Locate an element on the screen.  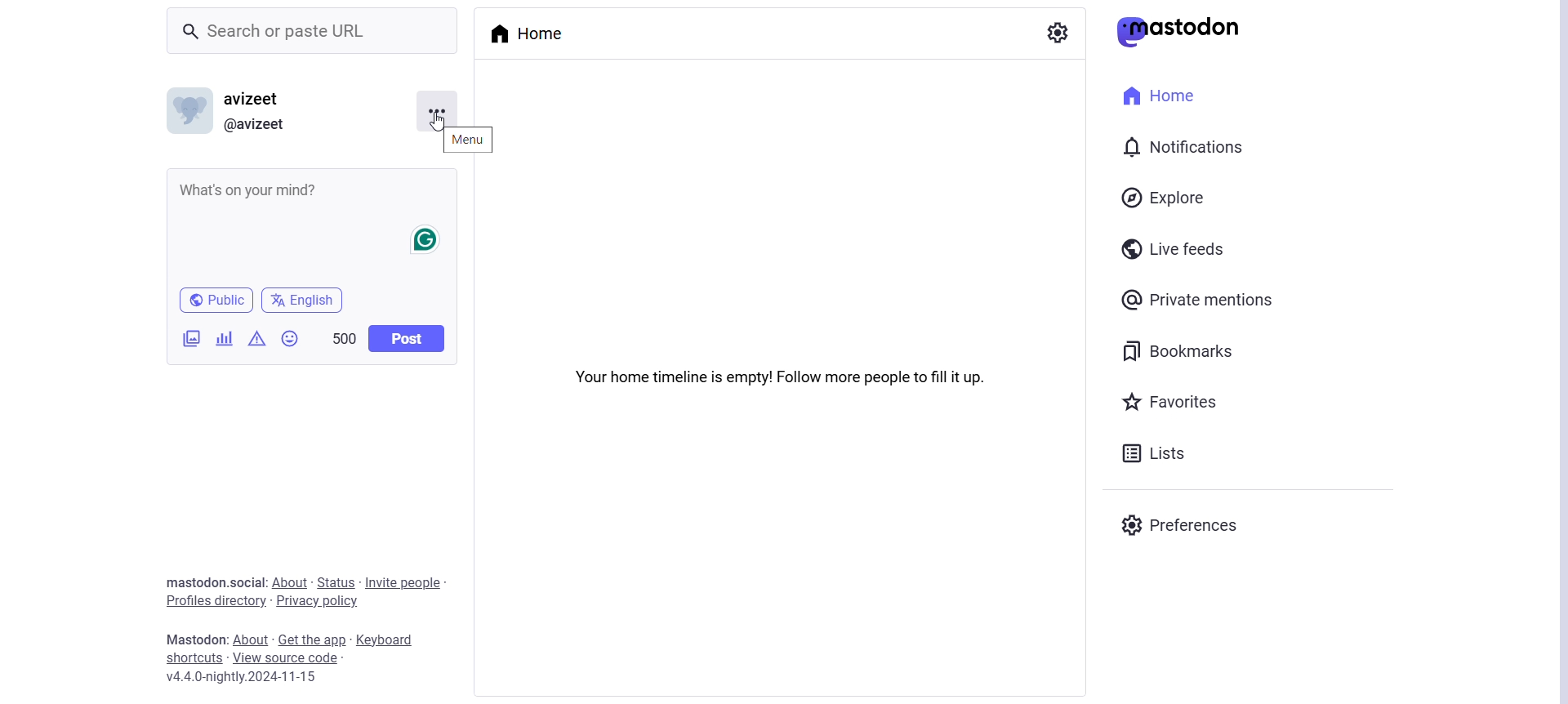
Preferences is located at coordinates (1183, 522).